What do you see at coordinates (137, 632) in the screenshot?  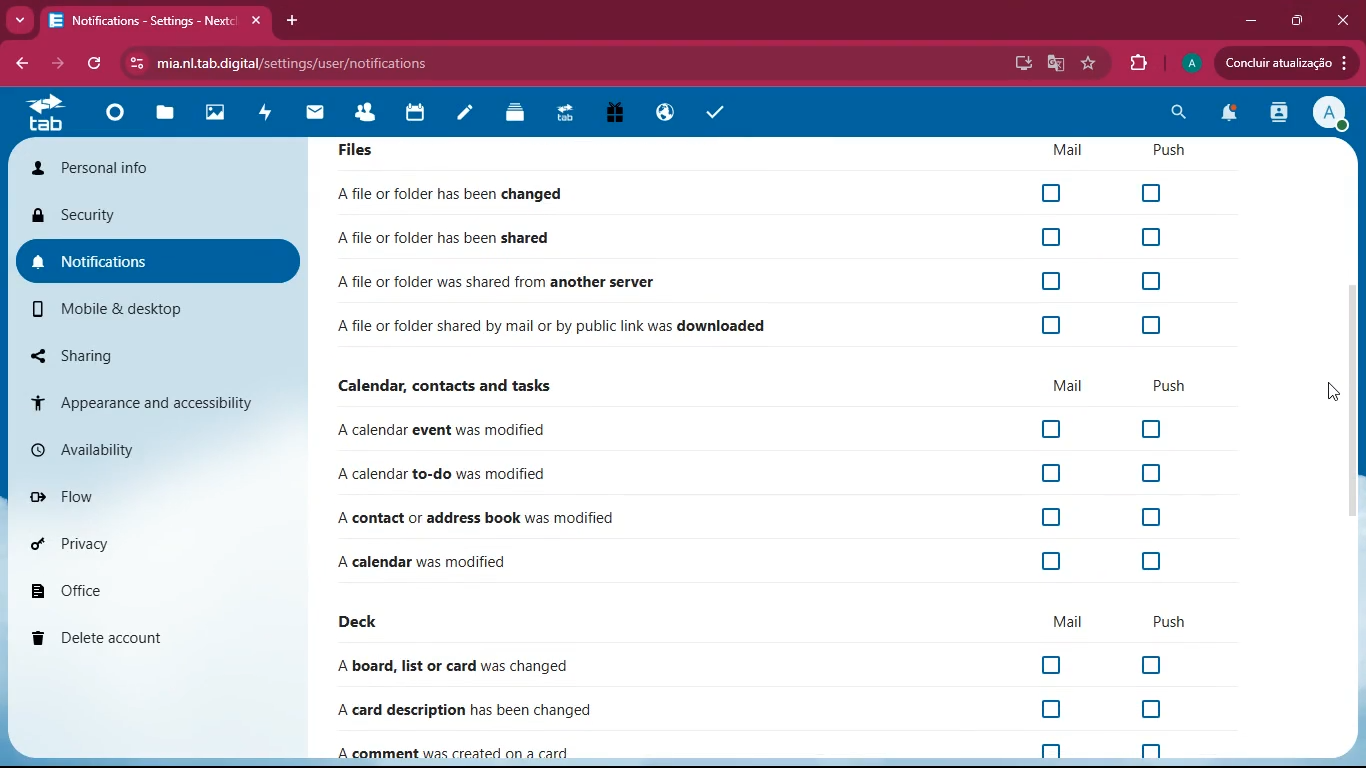 I see `delete ` at bounding box center [137, 632].